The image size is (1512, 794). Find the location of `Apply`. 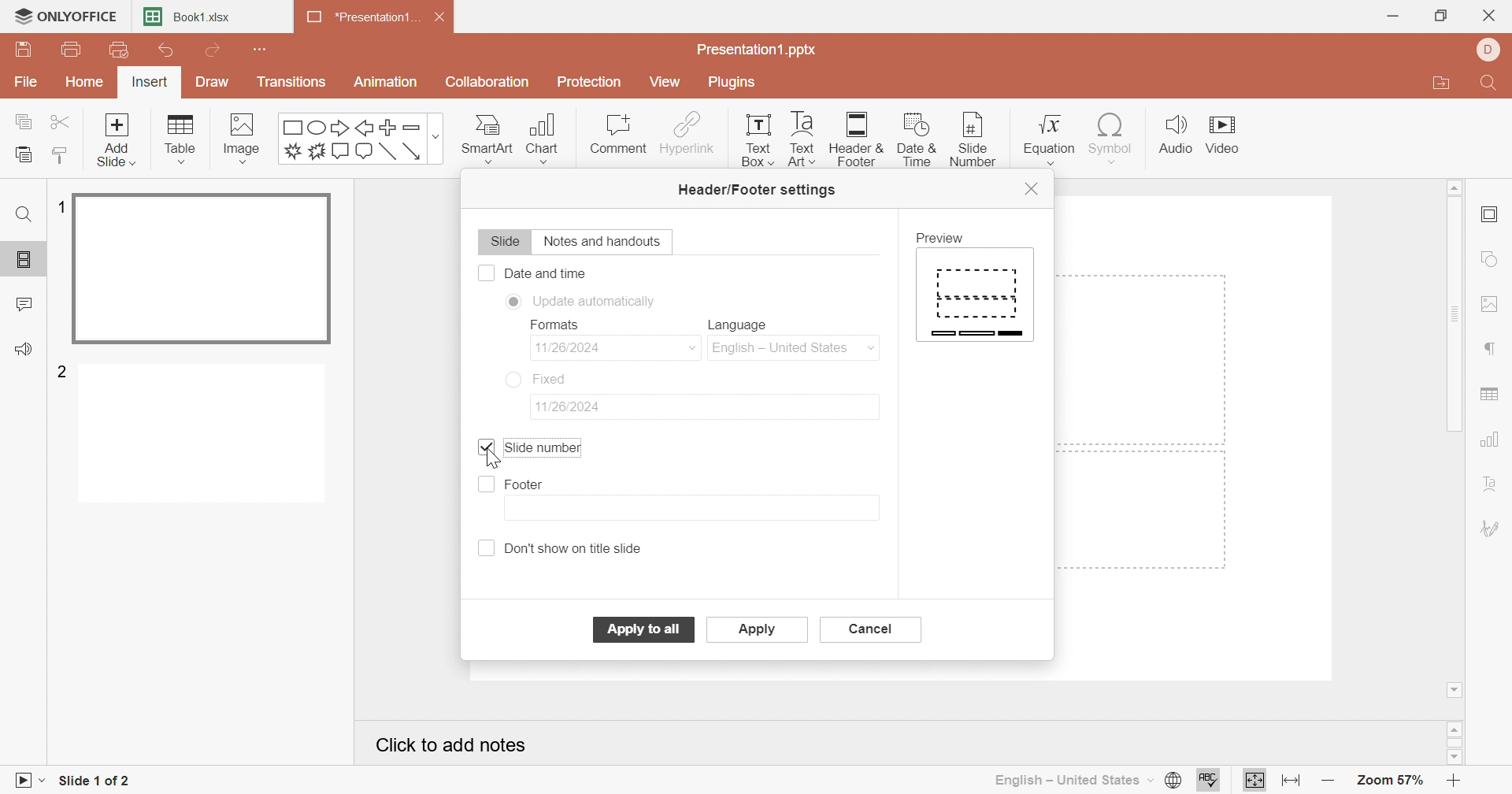

Apply is located at coordinates (644, 629).